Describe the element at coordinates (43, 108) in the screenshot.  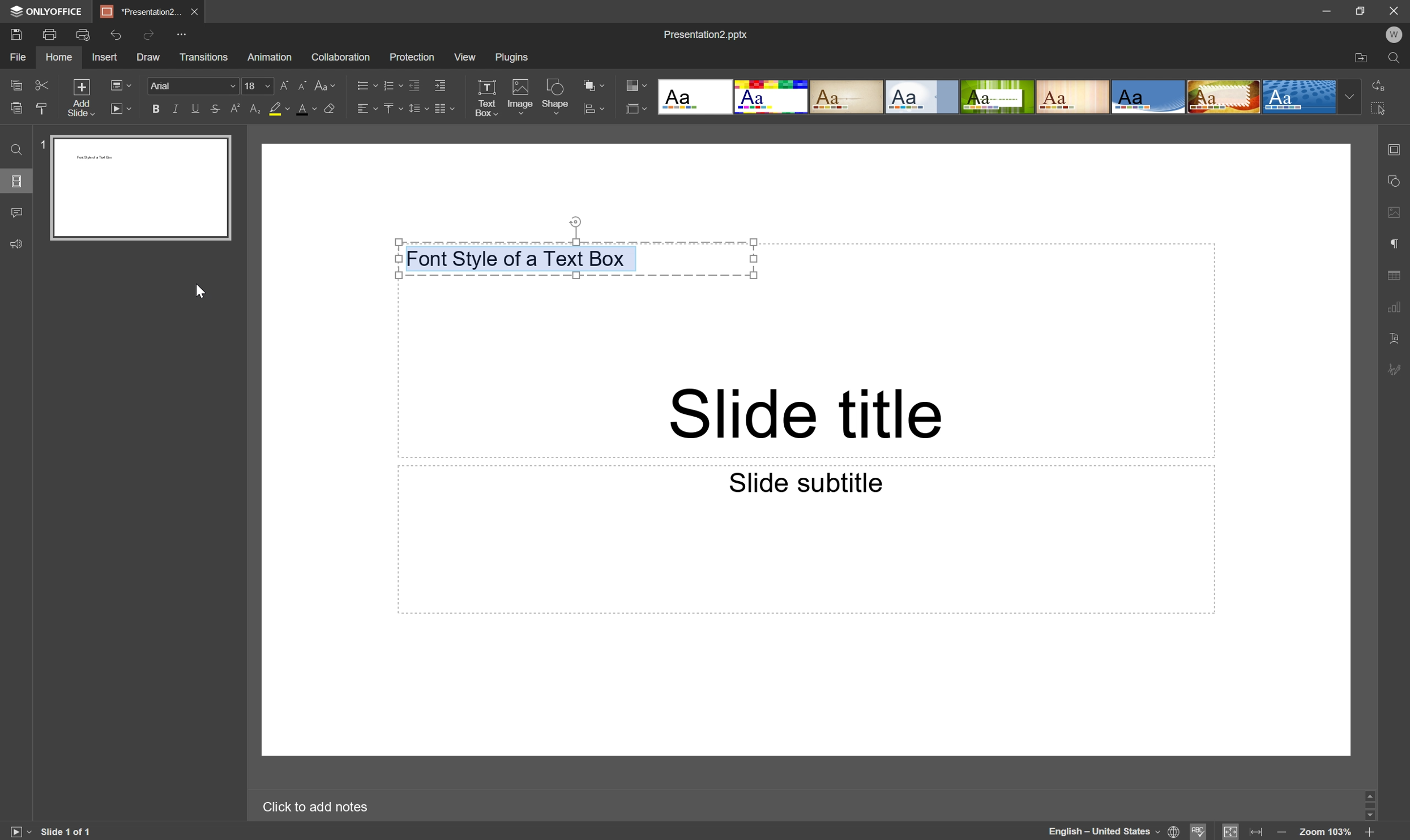
I see `Paste Style` at that location.